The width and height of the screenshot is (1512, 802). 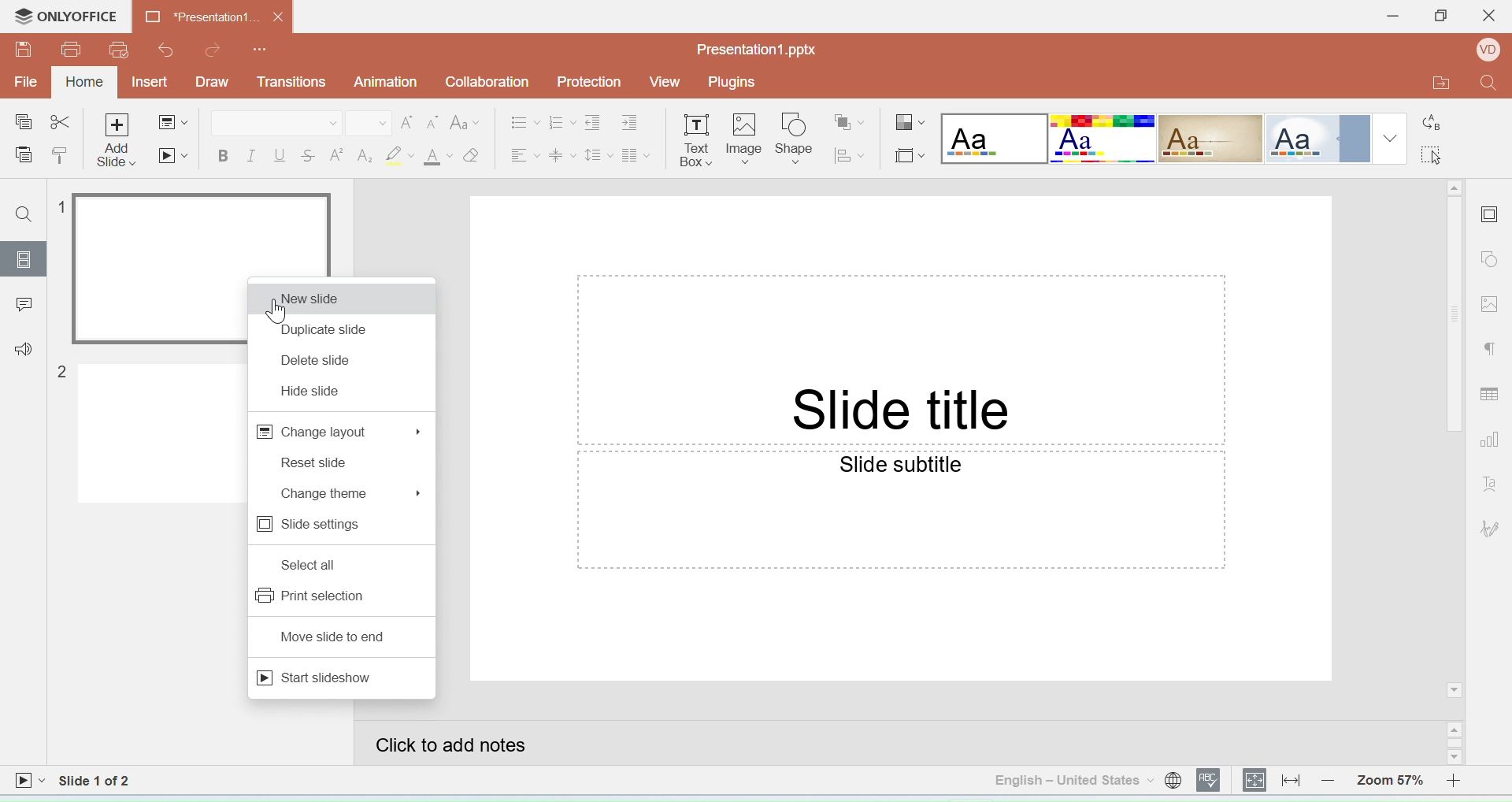 What do you see at coordinates (72, 50) in the screenshot?
I see `Print file` at bounding box center [72, 50].